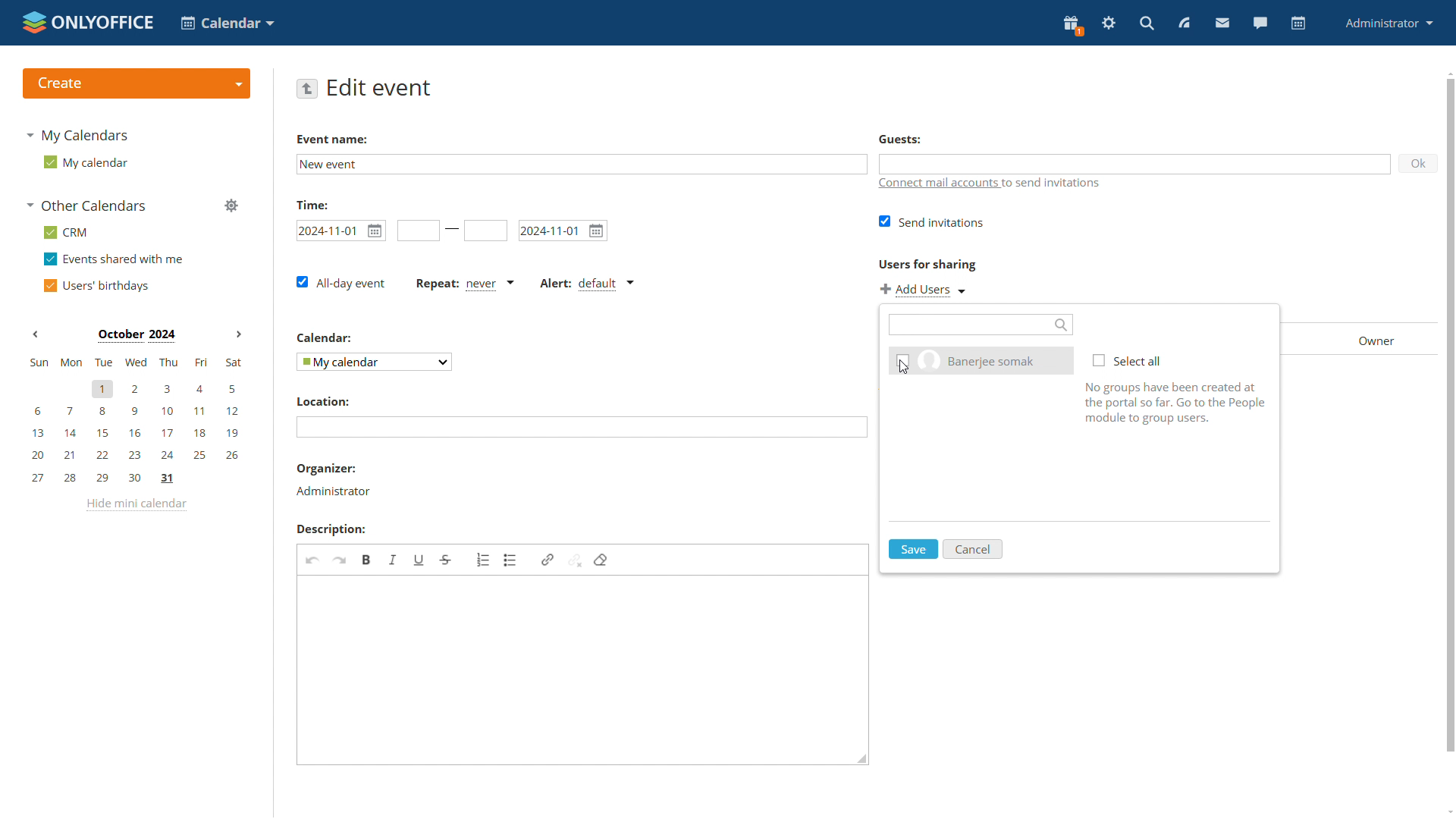  I want to click on underline, so click(418, 561).